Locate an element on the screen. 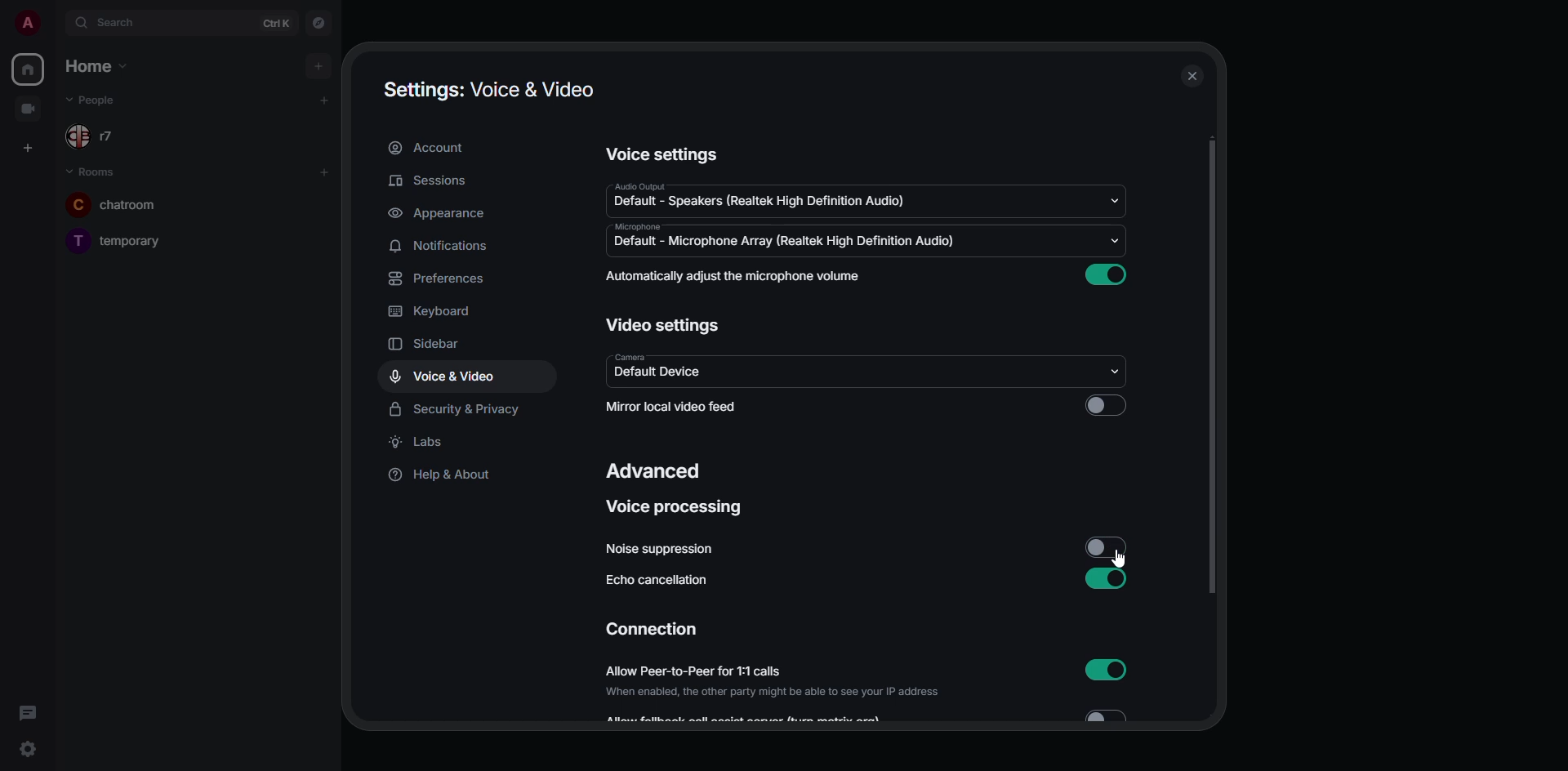  temporary is located at coordinates (115, 240).